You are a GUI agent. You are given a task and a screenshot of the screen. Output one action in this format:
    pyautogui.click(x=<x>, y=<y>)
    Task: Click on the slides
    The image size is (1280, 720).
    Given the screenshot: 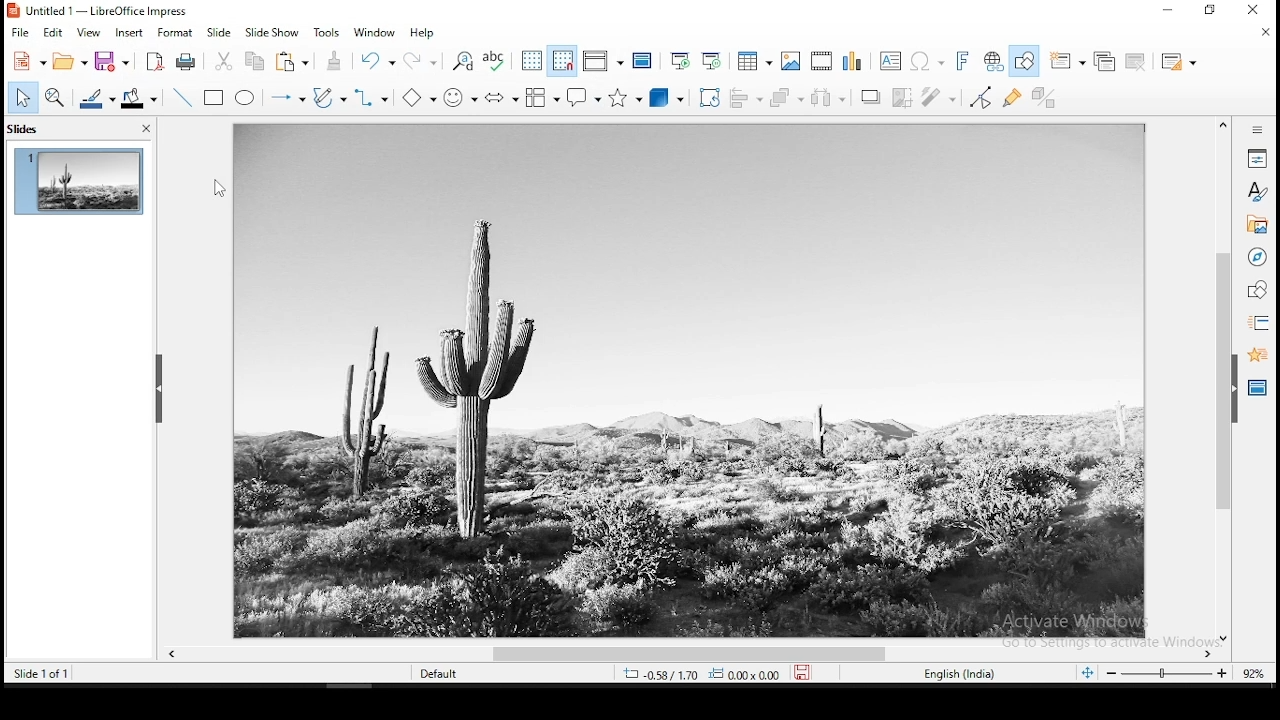 What is the action you would take?
    pyautogui.click(x=26, y=129)
    